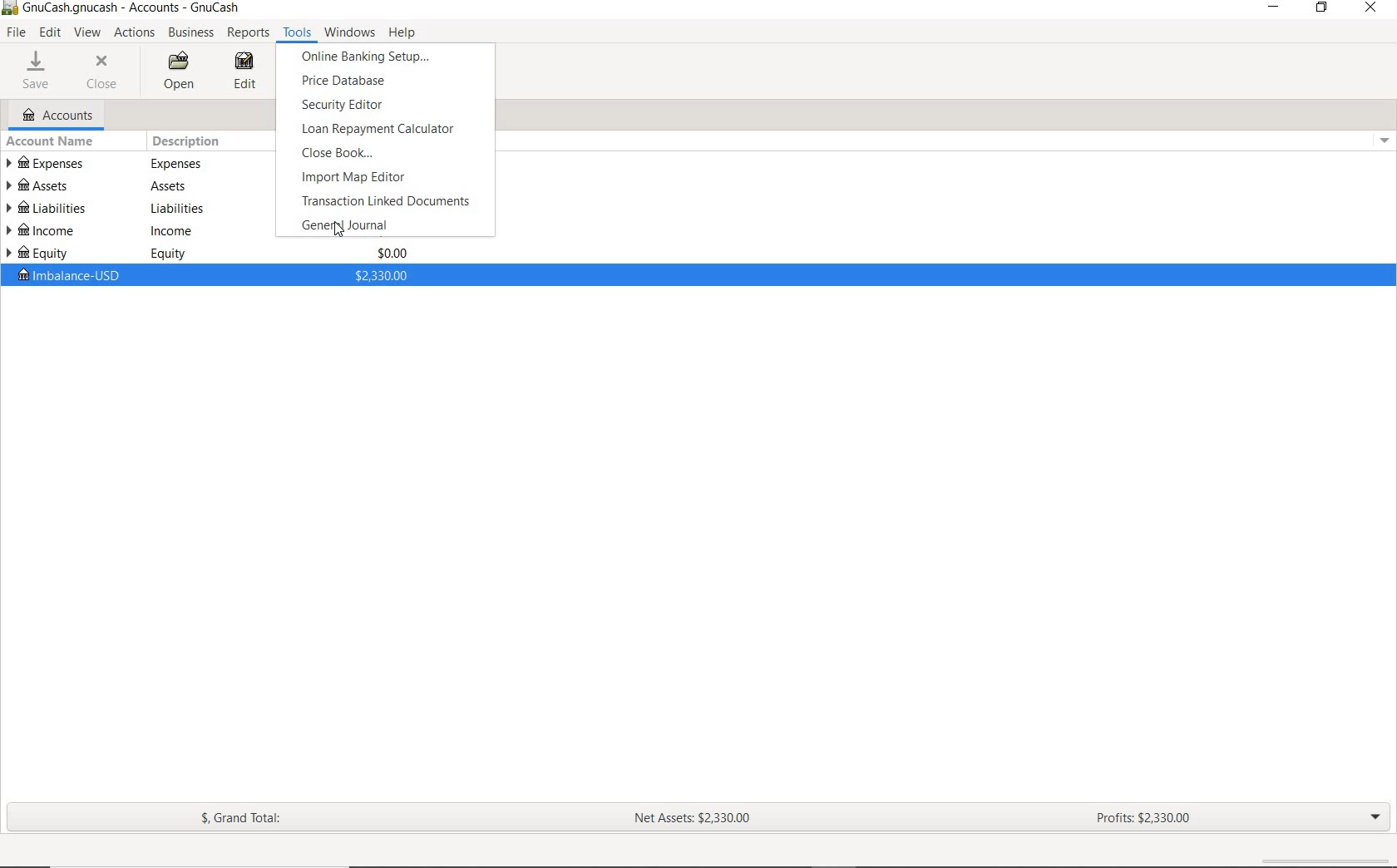  What do you see at coordinates (183, 72) in the screenshot?
I see `OPEN` at bounding box center [183, 72].